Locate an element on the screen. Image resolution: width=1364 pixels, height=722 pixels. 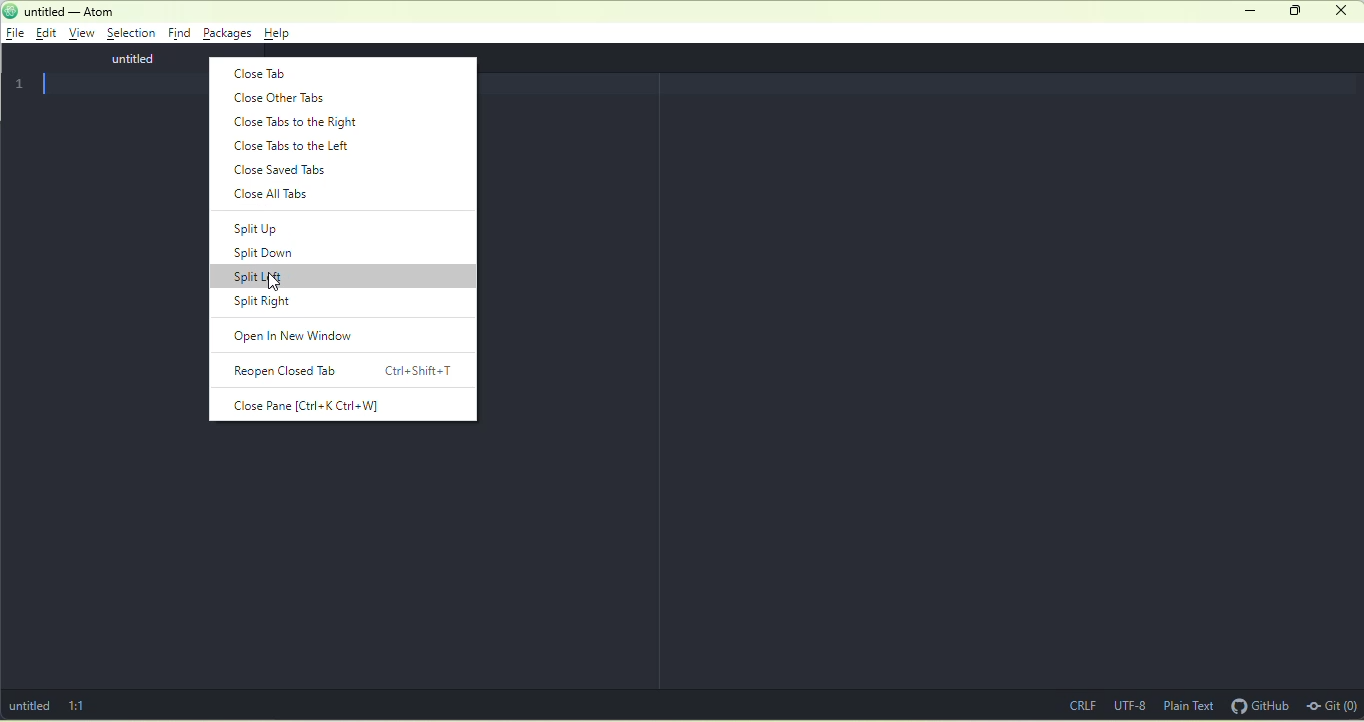
close tab is located at coordinates (266, 73).